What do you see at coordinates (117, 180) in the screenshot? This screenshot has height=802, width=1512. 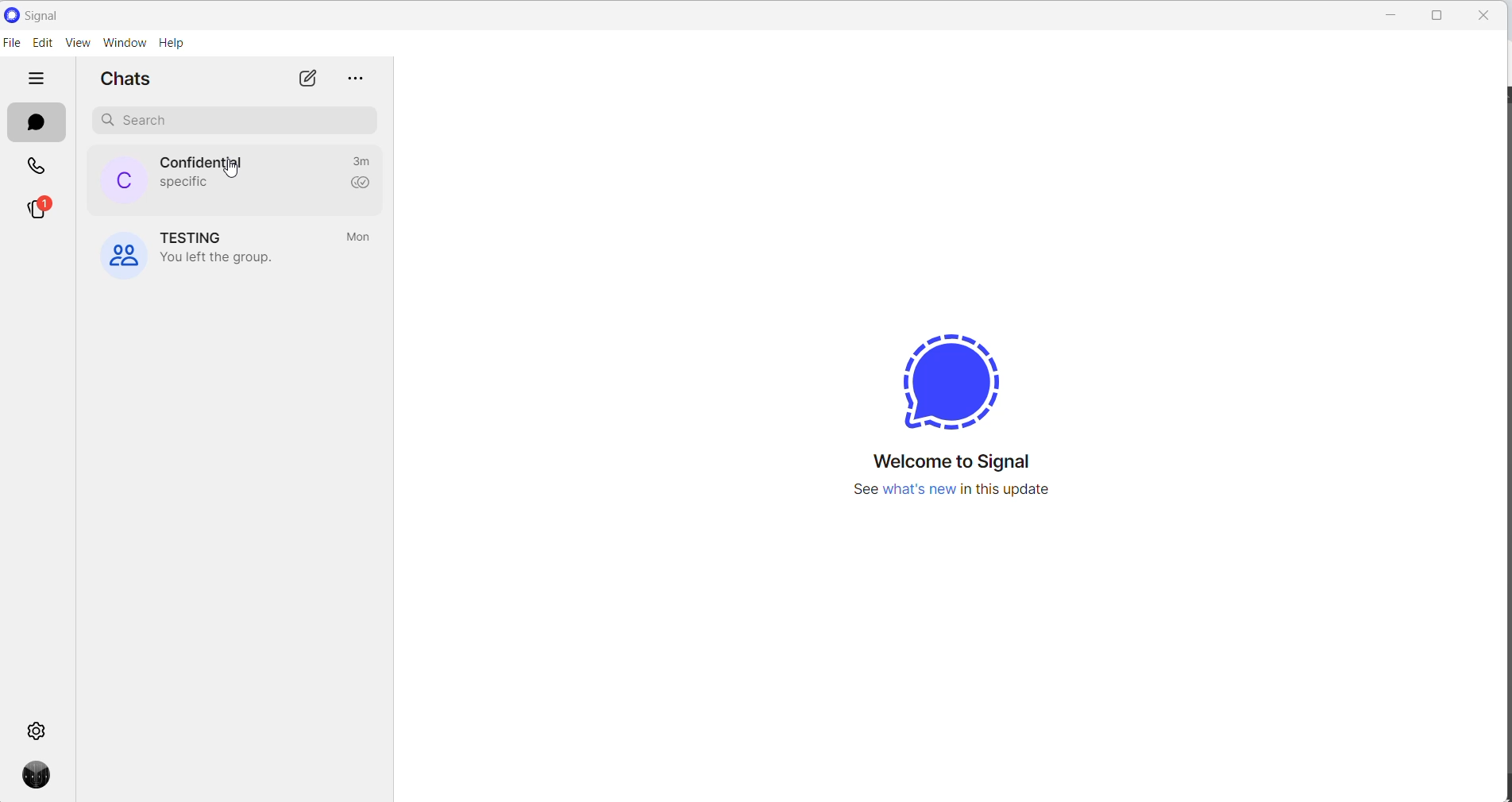 I see `profile picture` at bounding box center [117, 180].